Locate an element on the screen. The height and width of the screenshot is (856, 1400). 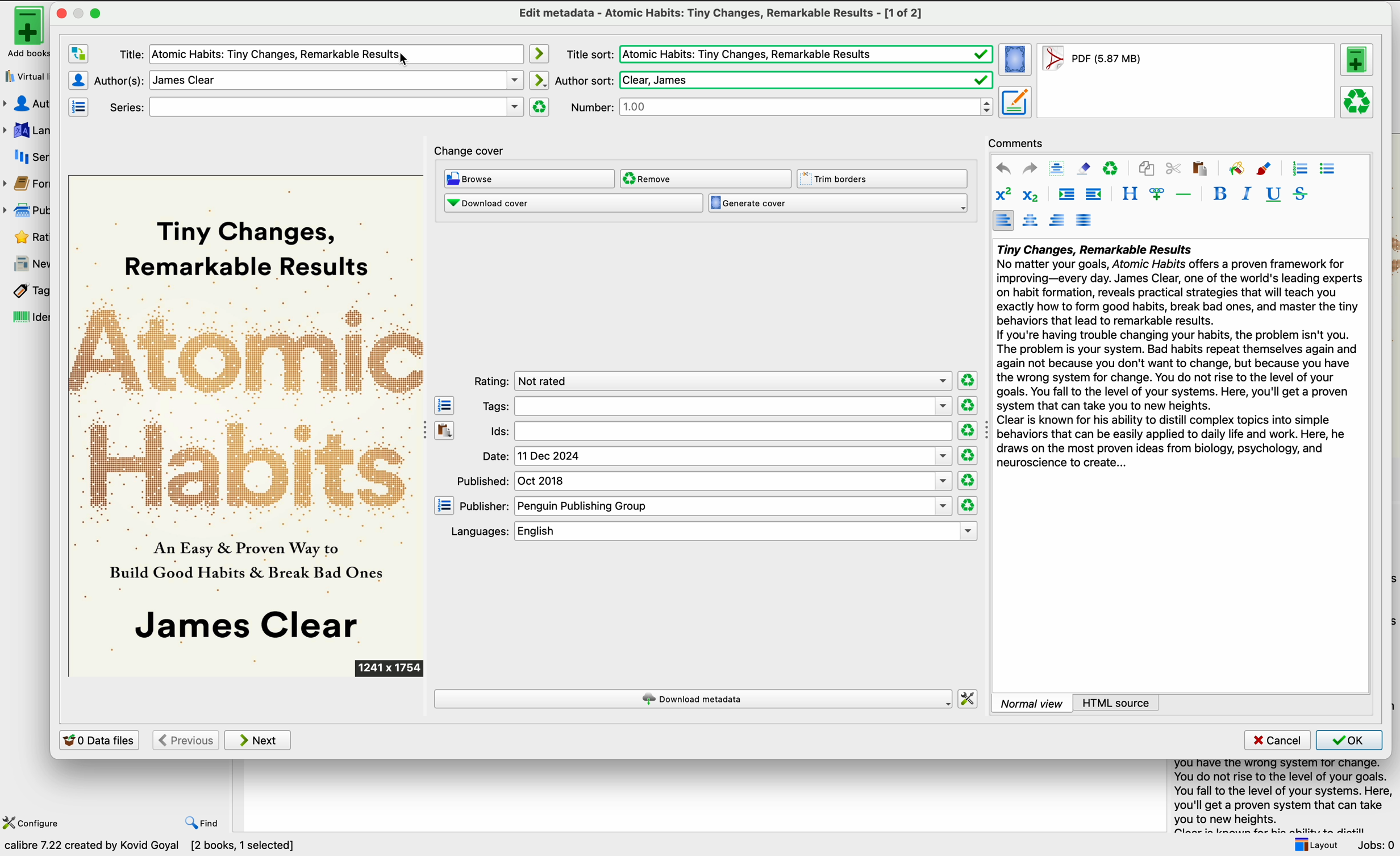
paste is located at coordinates (1199, 168).